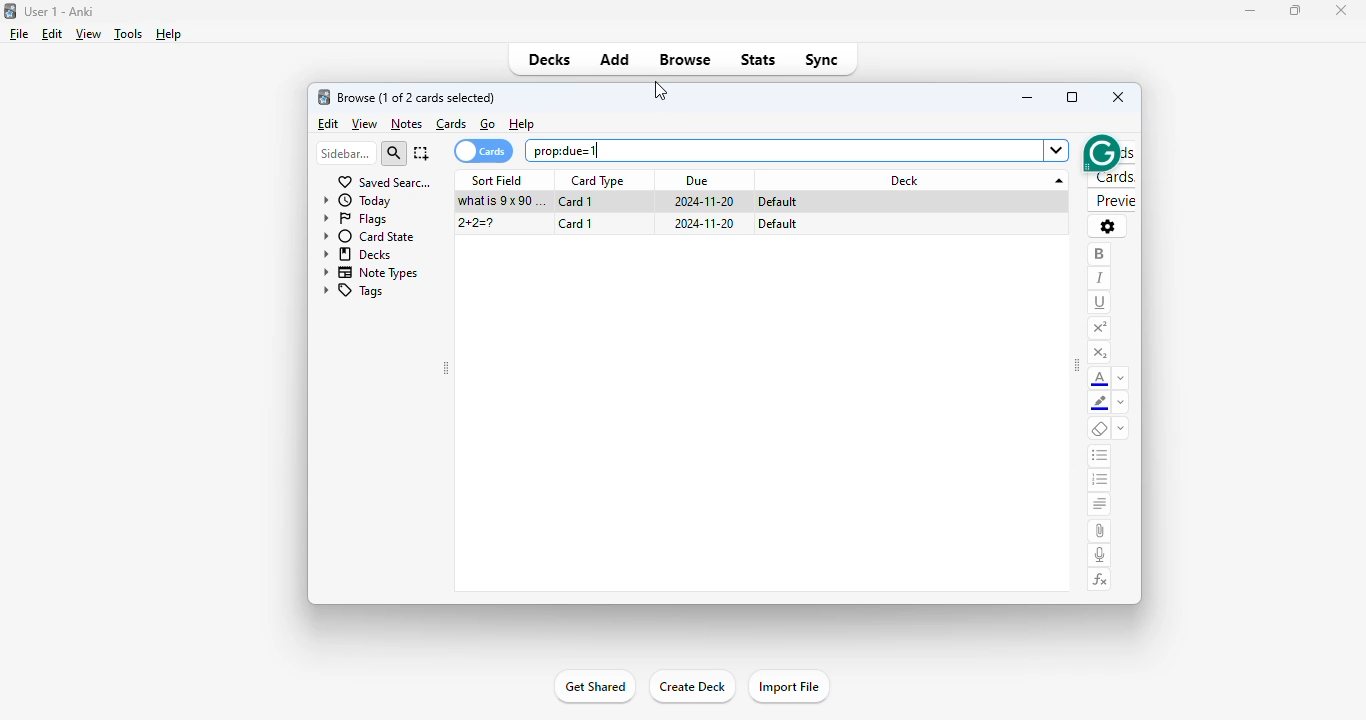  Describe the element at coordinates (1100, 580) in the screenshot. I see `equations` at that location.